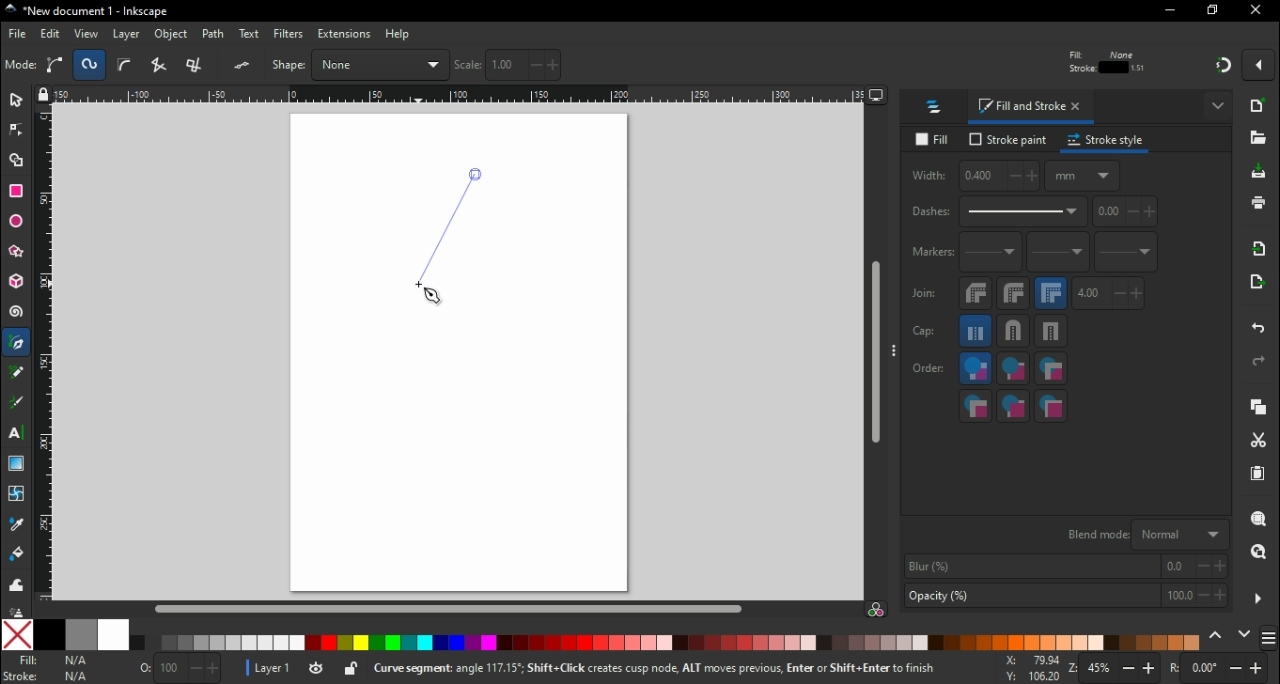 This screenshot has width=1280, height=684. What do you see at coordinates (1012, 334) in the screenshot?
I see `round` at bounding box center [1012, 334].